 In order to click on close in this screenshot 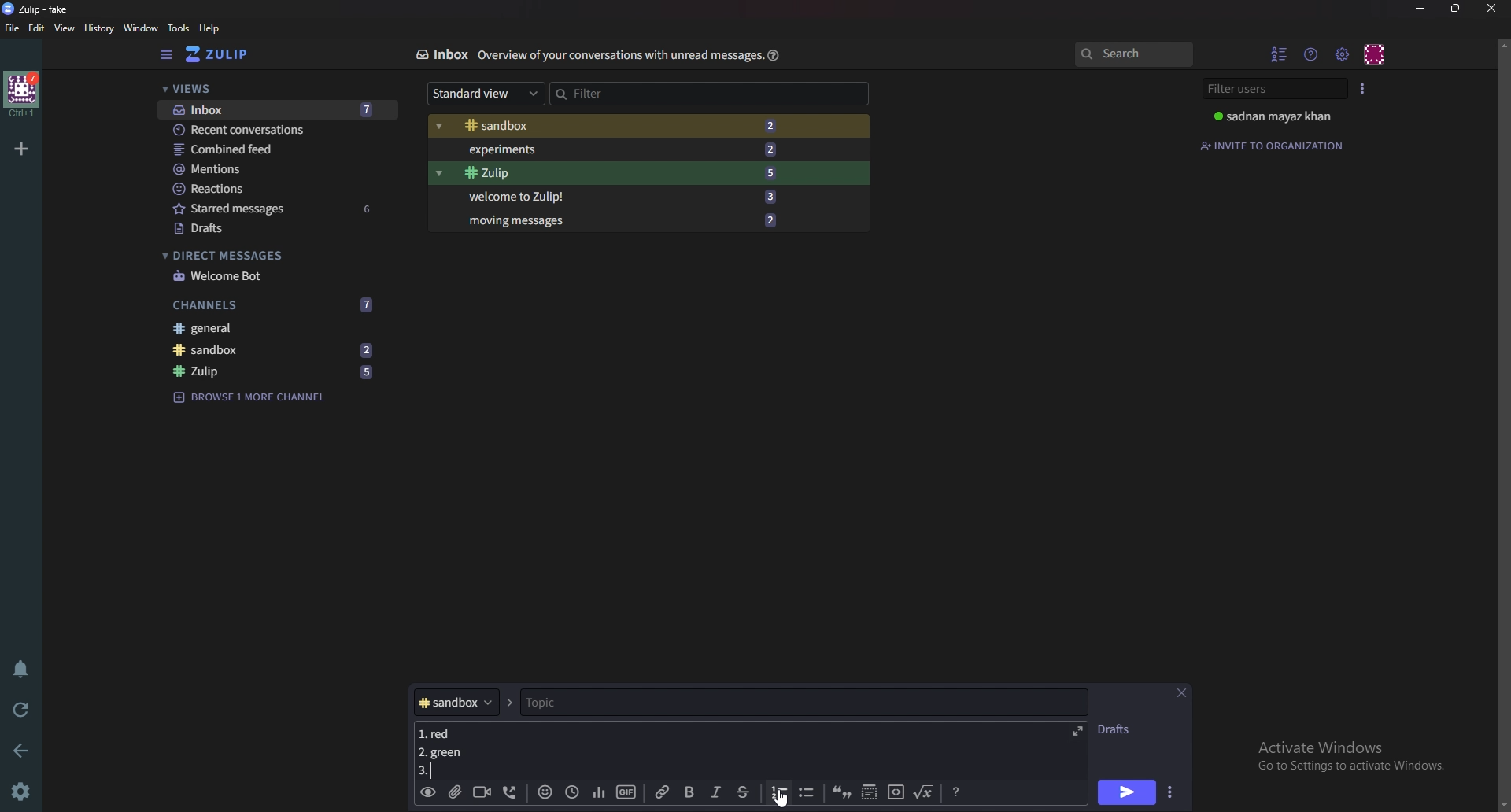, I will do `click(1491, 8)`.